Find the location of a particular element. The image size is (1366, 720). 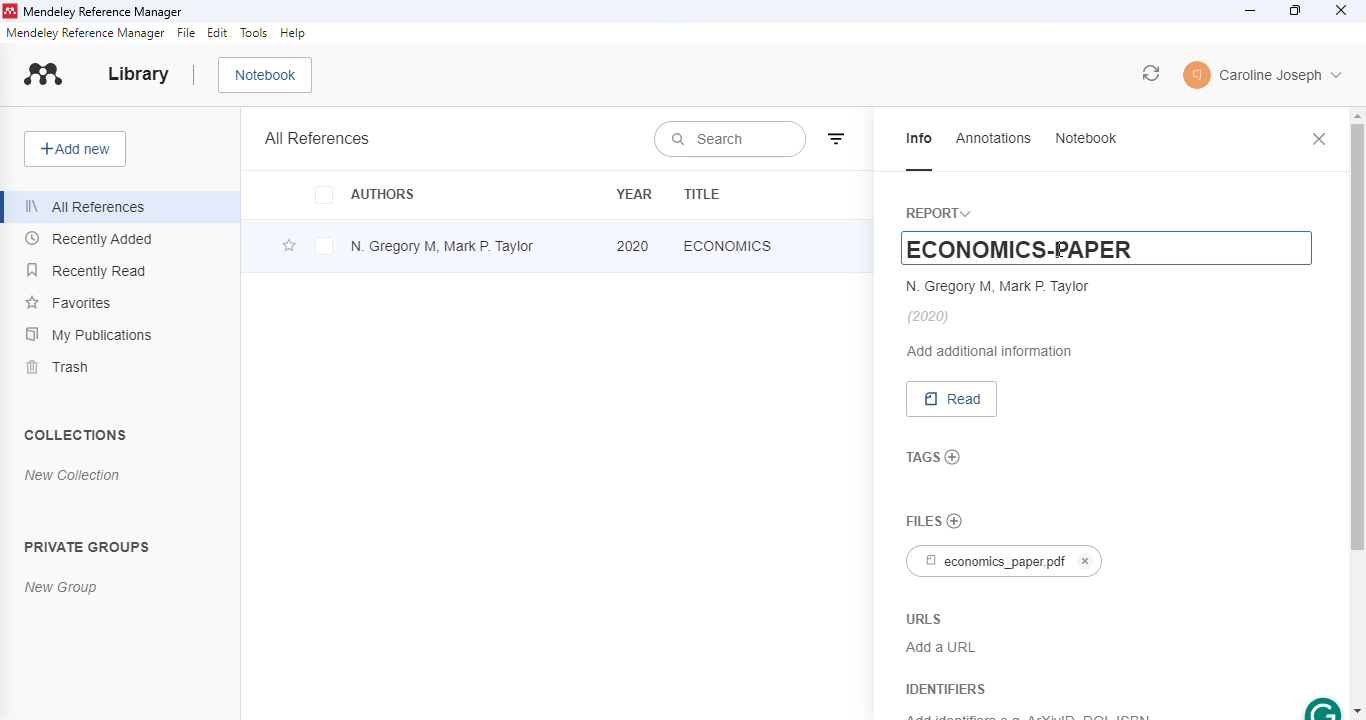

help is located at coordinates (293, 33).